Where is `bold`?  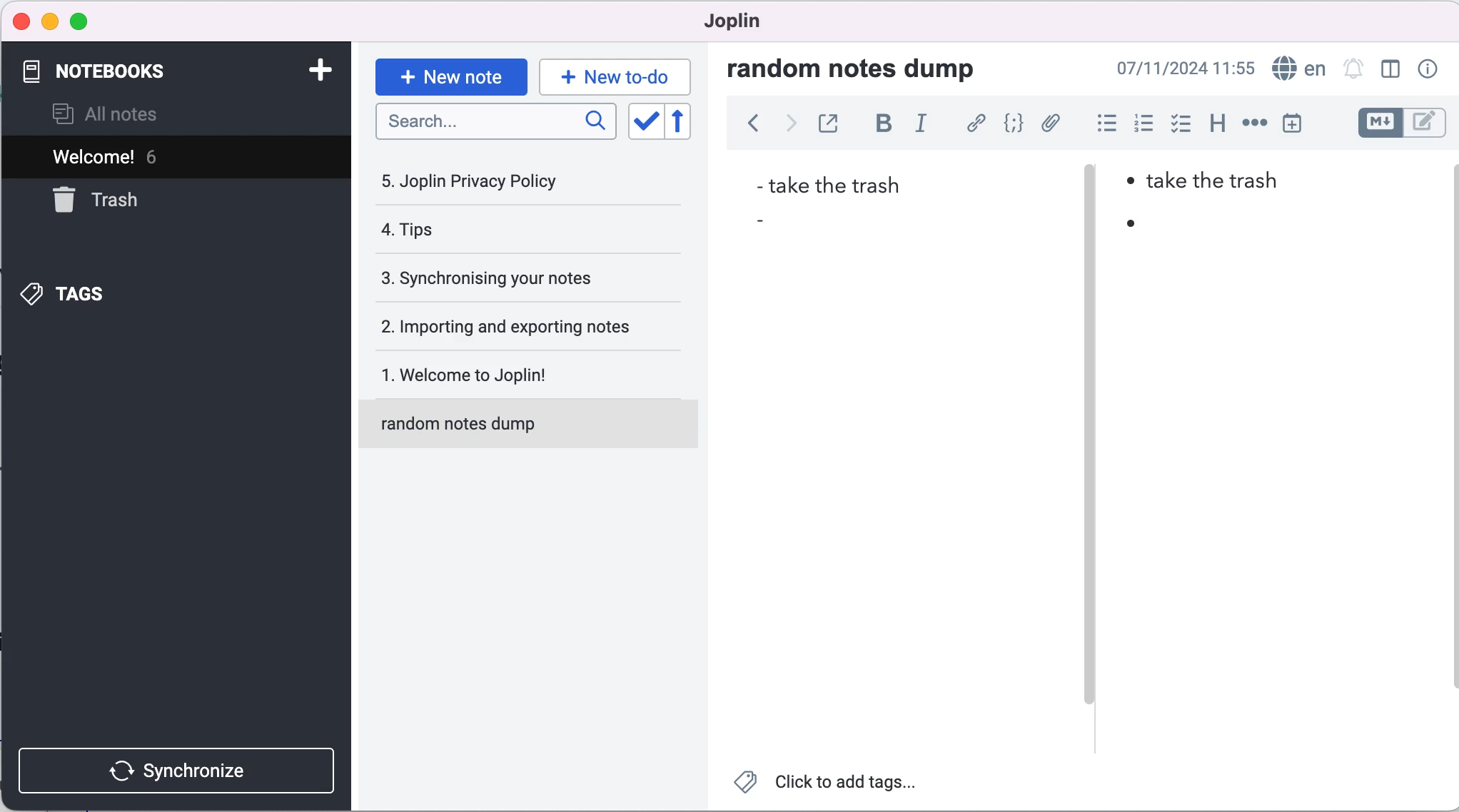
bold is located at coordinates (879, 126).